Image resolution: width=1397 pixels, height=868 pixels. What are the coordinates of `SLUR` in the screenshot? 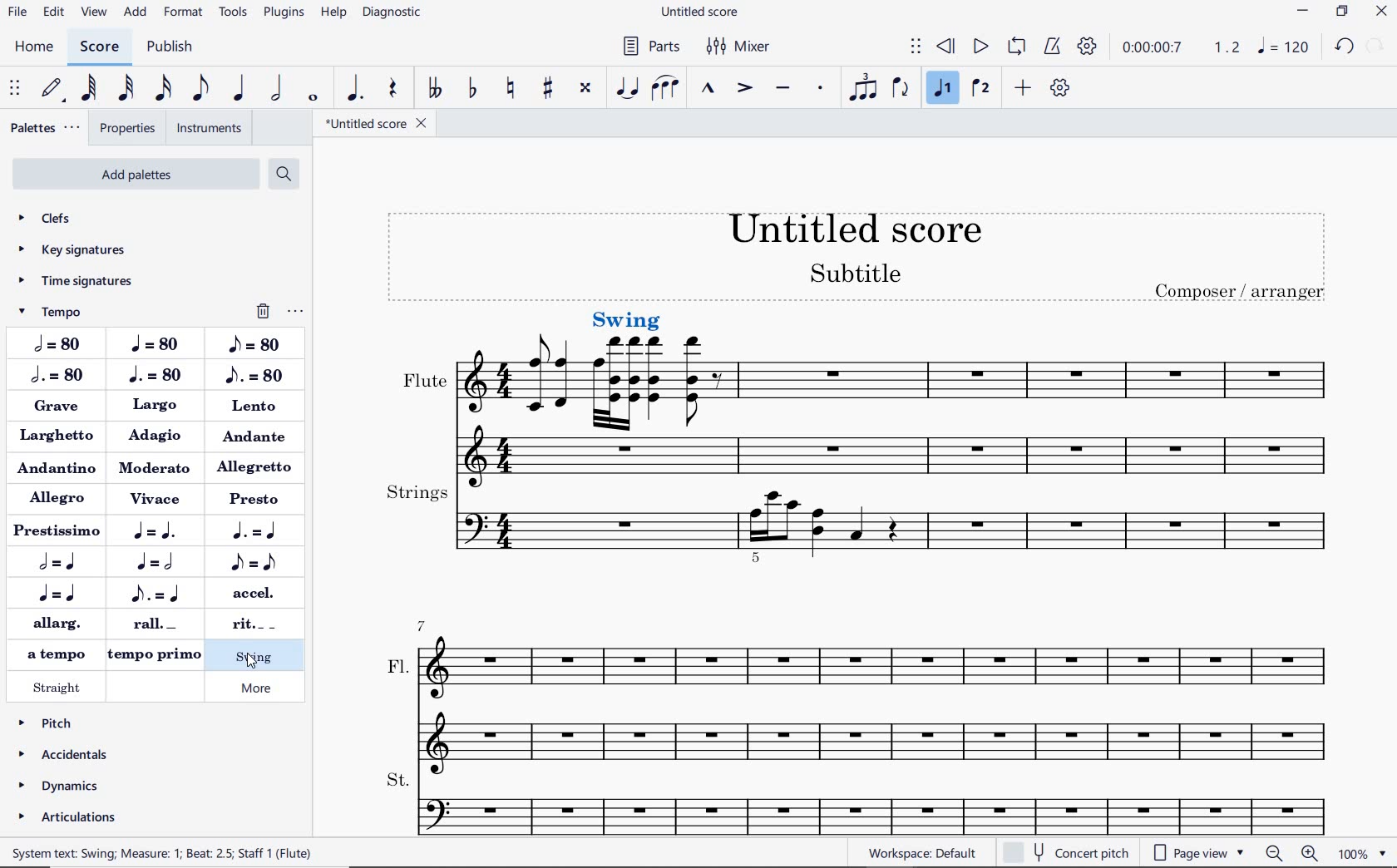 It's located at (664, 89).